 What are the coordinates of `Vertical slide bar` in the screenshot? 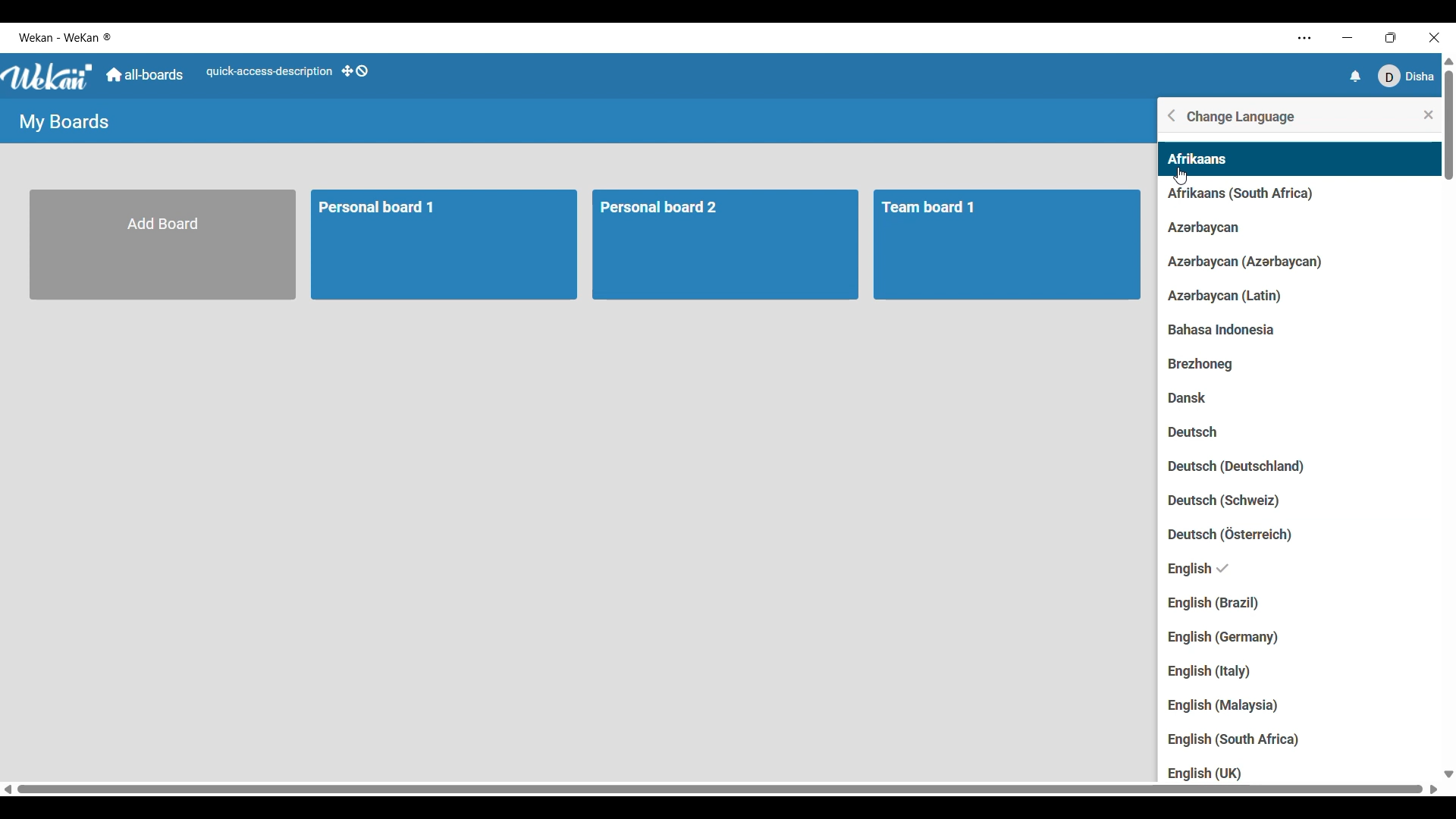 It's located at (1449, 125).